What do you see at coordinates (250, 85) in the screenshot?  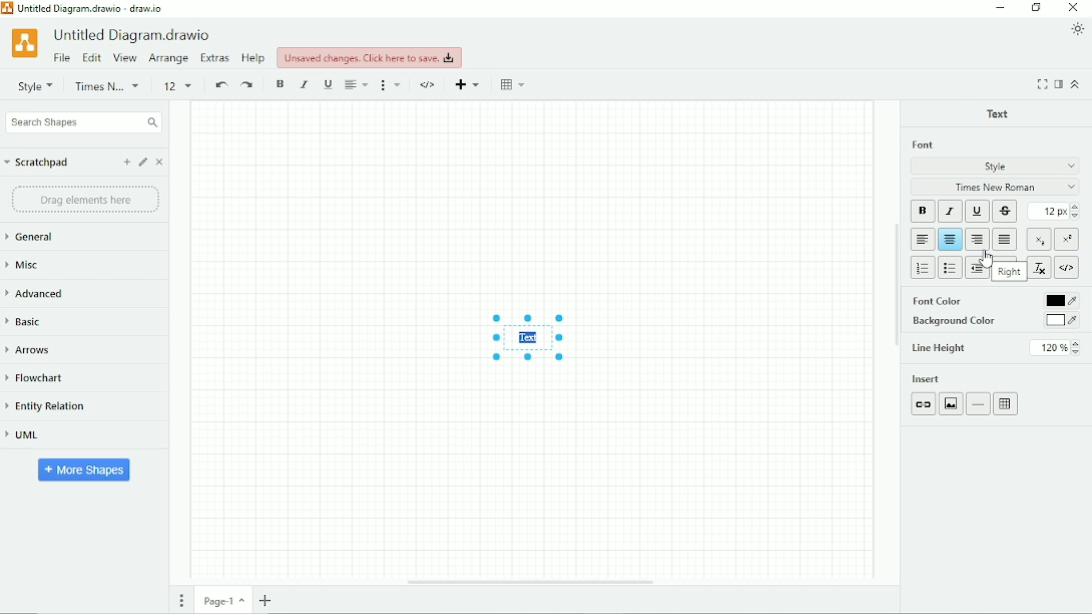 I see `Redo` at bounding box center [250, 85].